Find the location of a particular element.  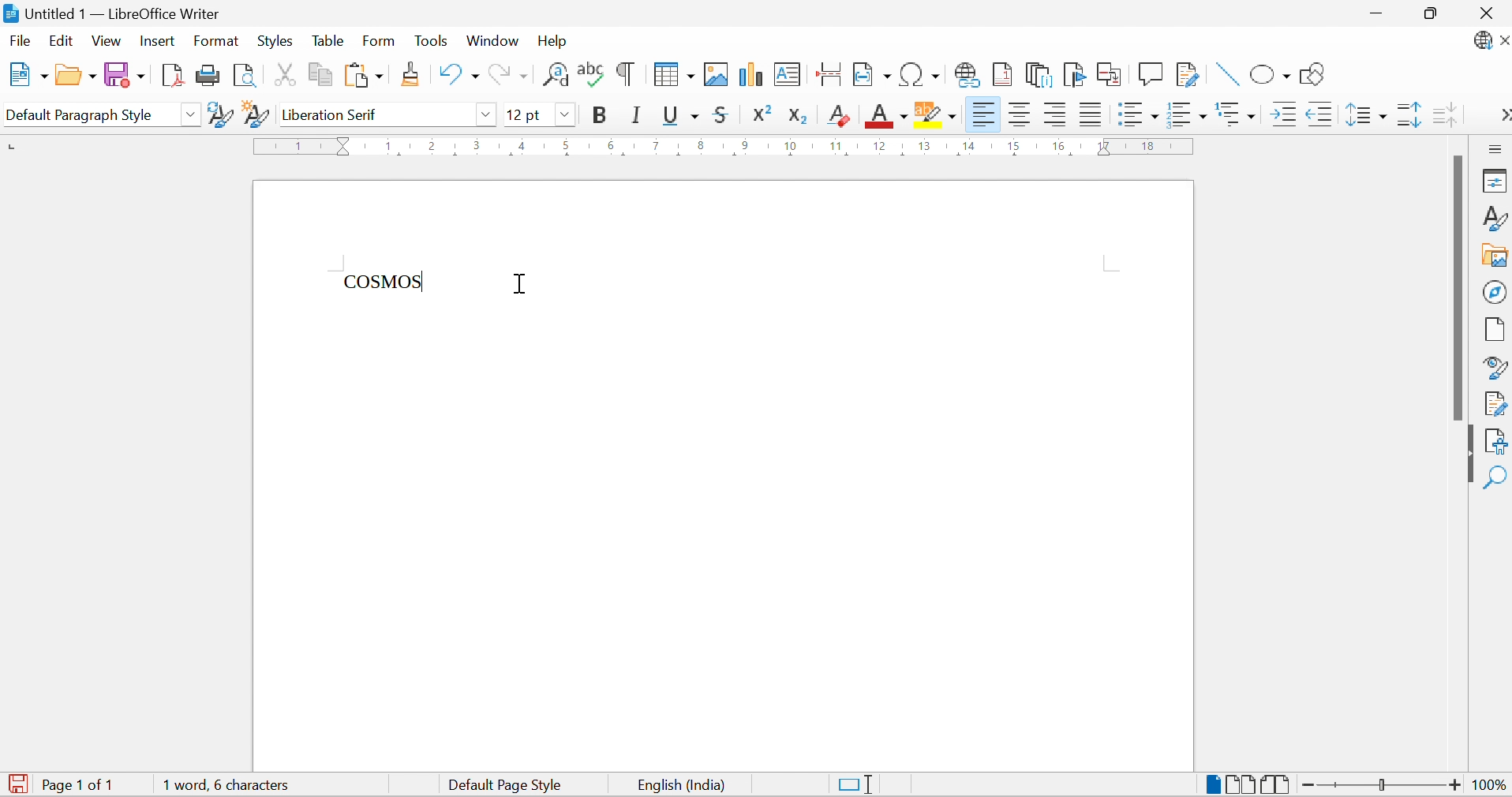

Insert Image is located at coordinates (718, 75).